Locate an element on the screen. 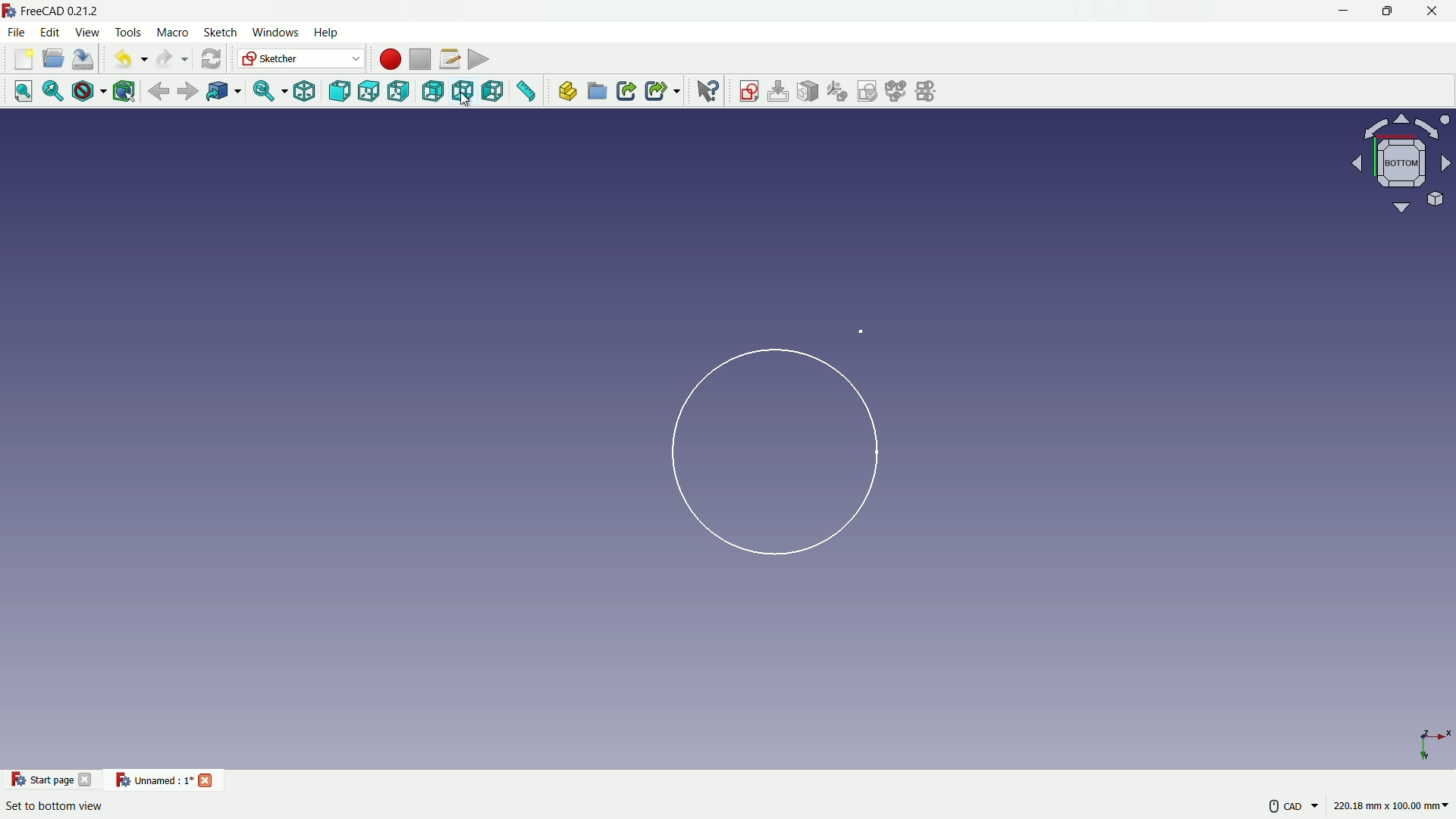 The height and width of the screenshot is (819, 1456). navigation style is located at coordinates (1278, 808).